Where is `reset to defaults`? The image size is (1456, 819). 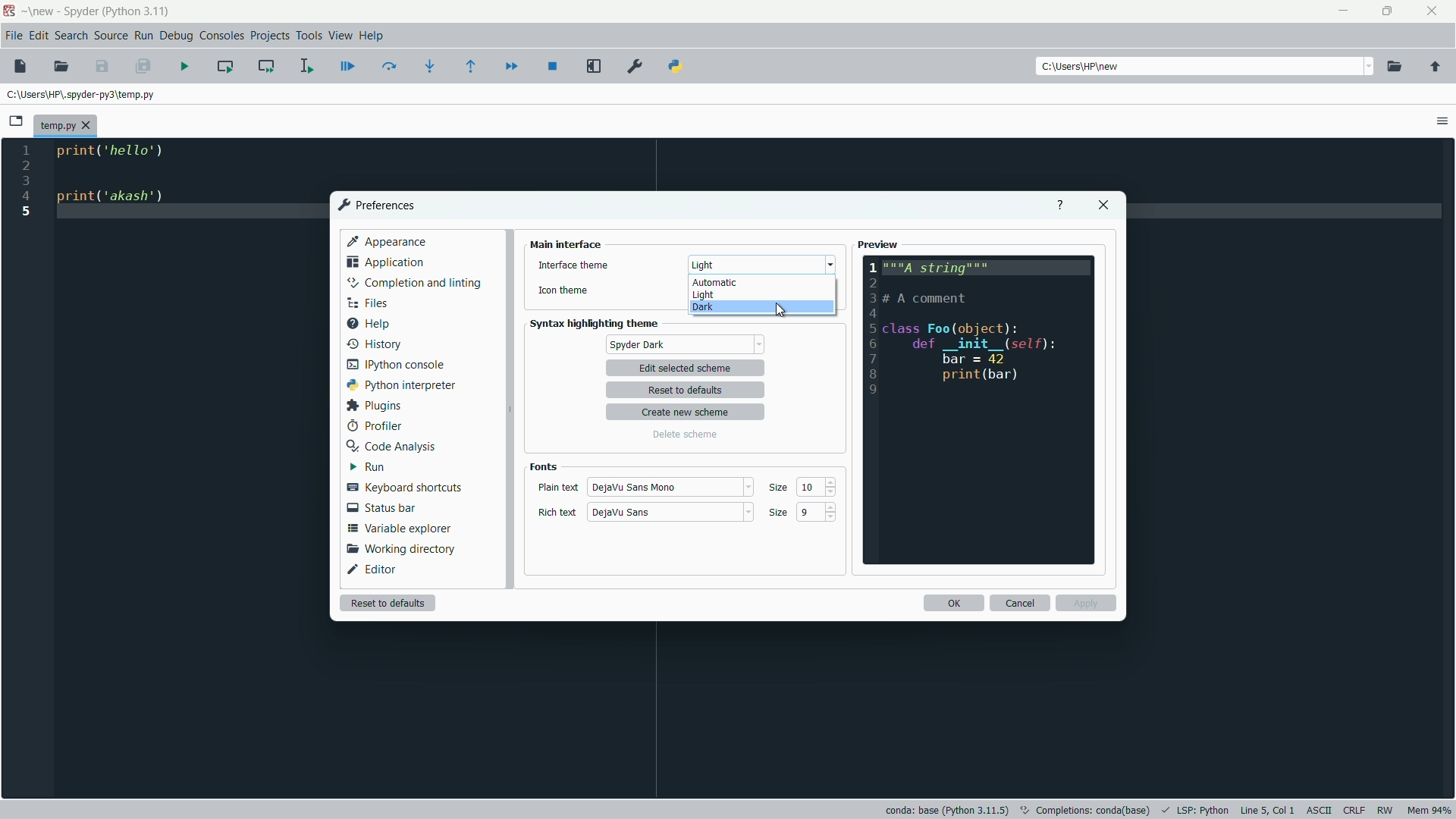 reset to defaults is located at coordinates (690, 391).